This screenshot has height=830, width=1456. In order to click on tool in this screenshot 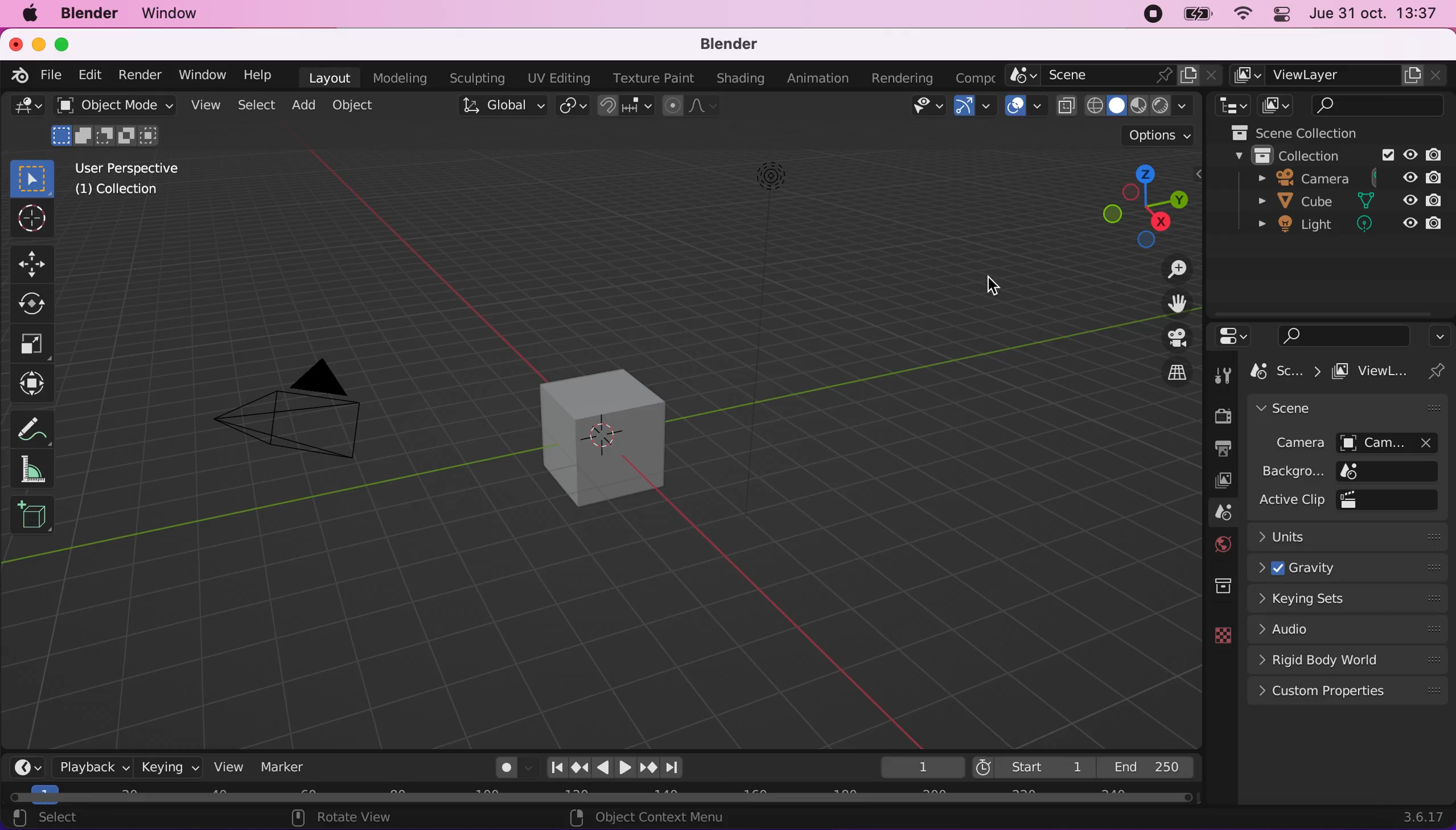, I will do `click(1223, 373)`.